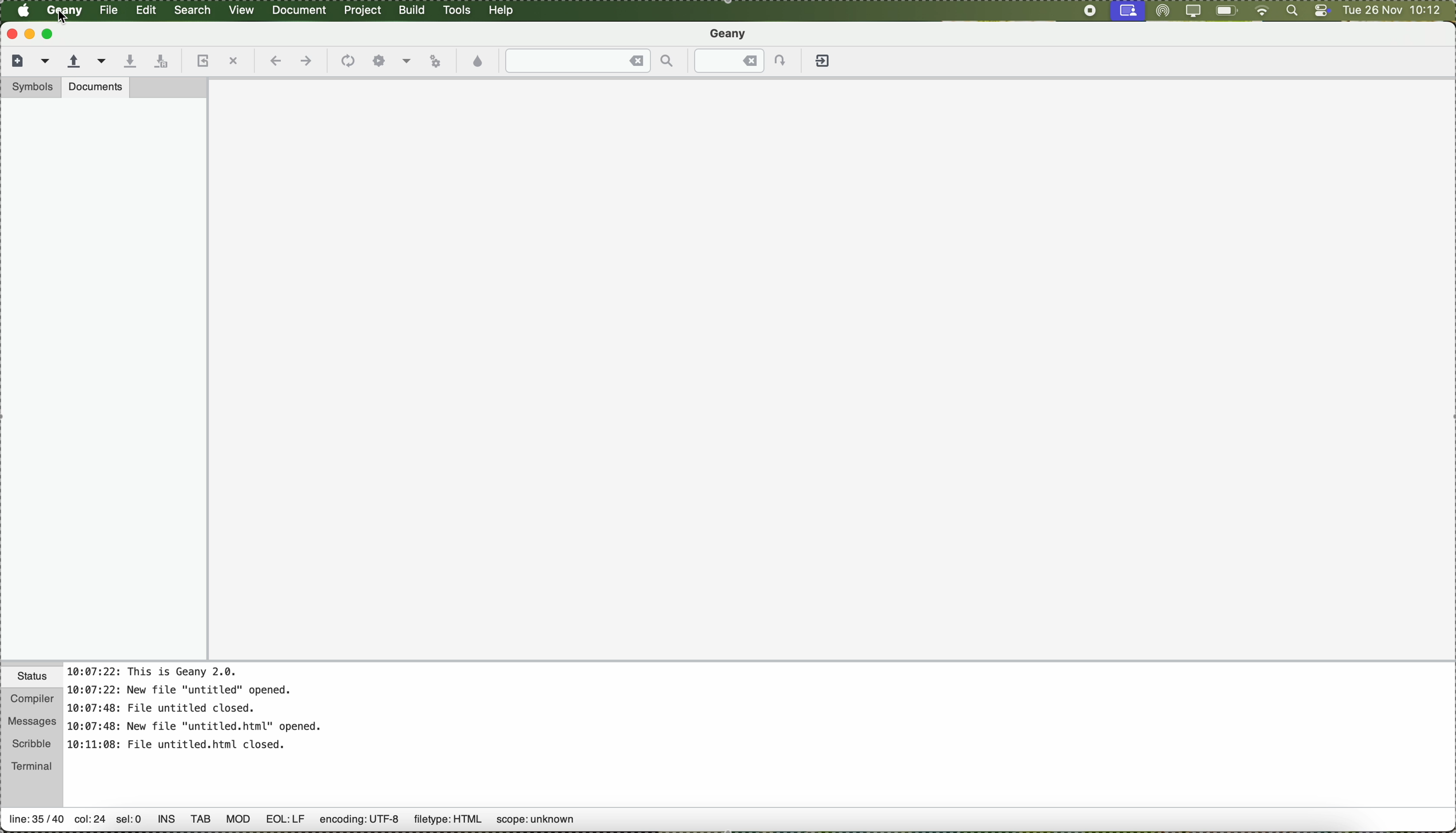 This screenshot has width=1456, height=833. Describe the element at coordinates (110, 11) in the screenshot. I see `file` at that location.